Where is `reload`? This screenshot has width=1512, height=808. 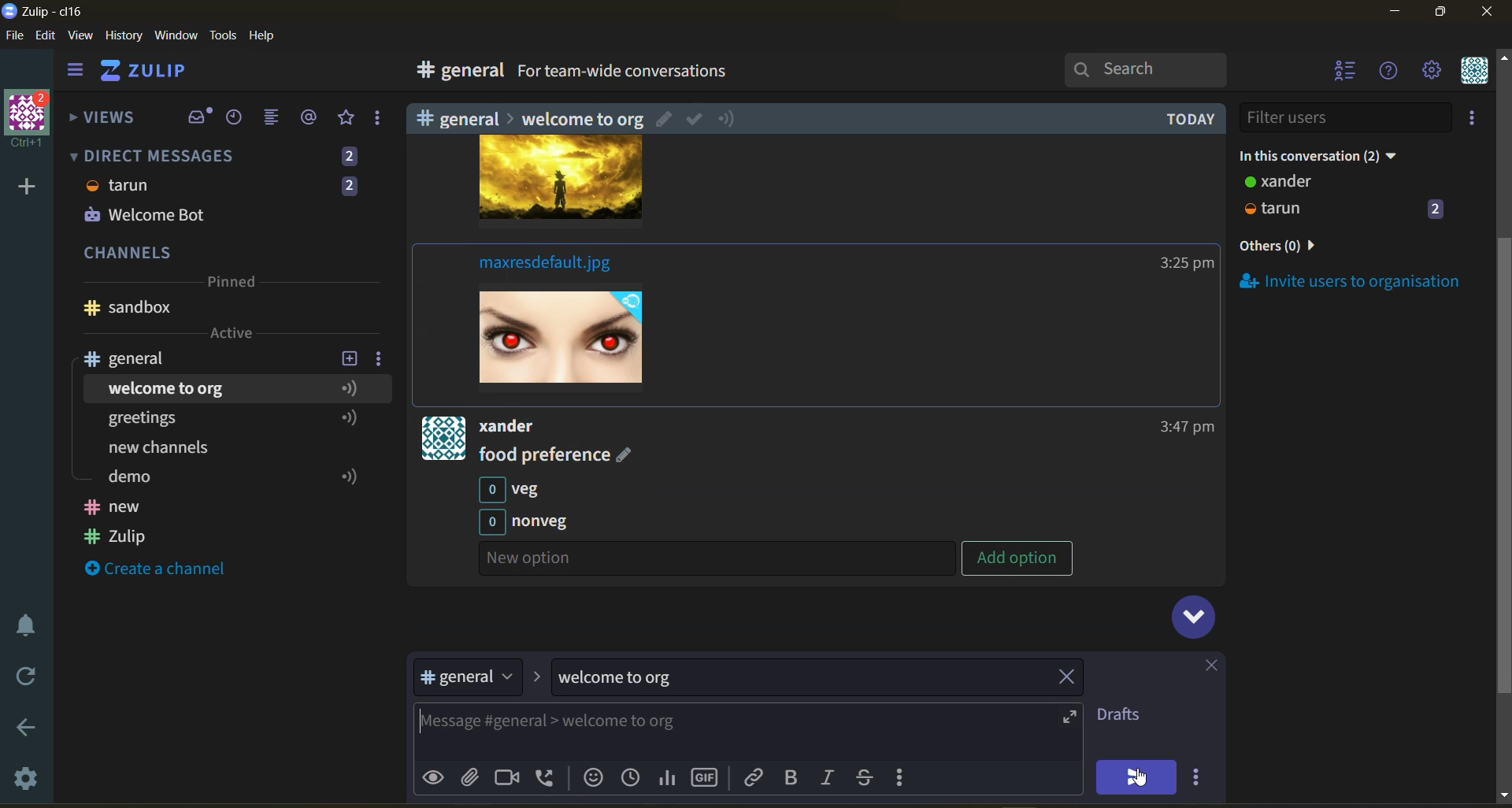
reload is located at coordinates (22, 676).